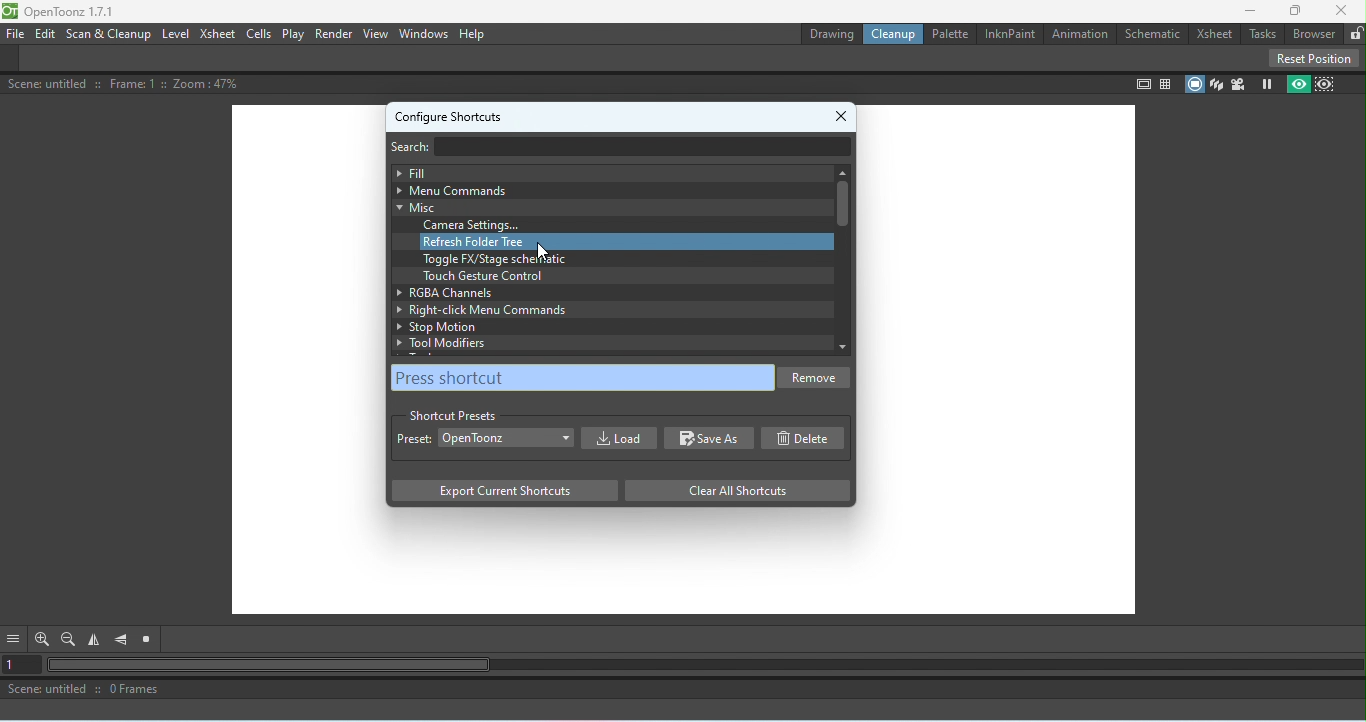 The width and height of the screenshot is (1366, 722). What do you see at coordinates (1326, 84) in the screenshot?
I see `Sub-camera preview` at bounding box center [1326, 84].